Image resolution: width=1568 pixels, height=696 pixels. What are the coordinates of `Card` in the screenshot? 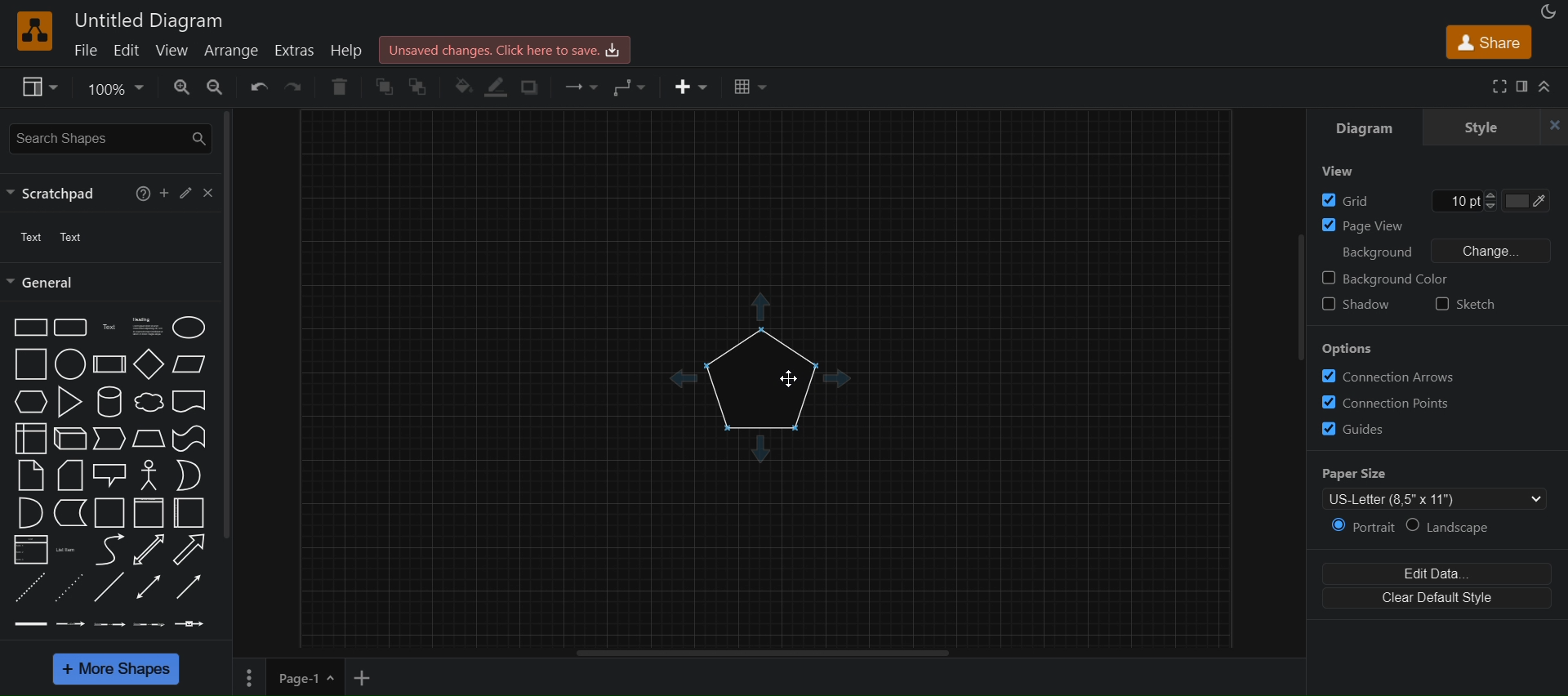 It's located at (70, 475).